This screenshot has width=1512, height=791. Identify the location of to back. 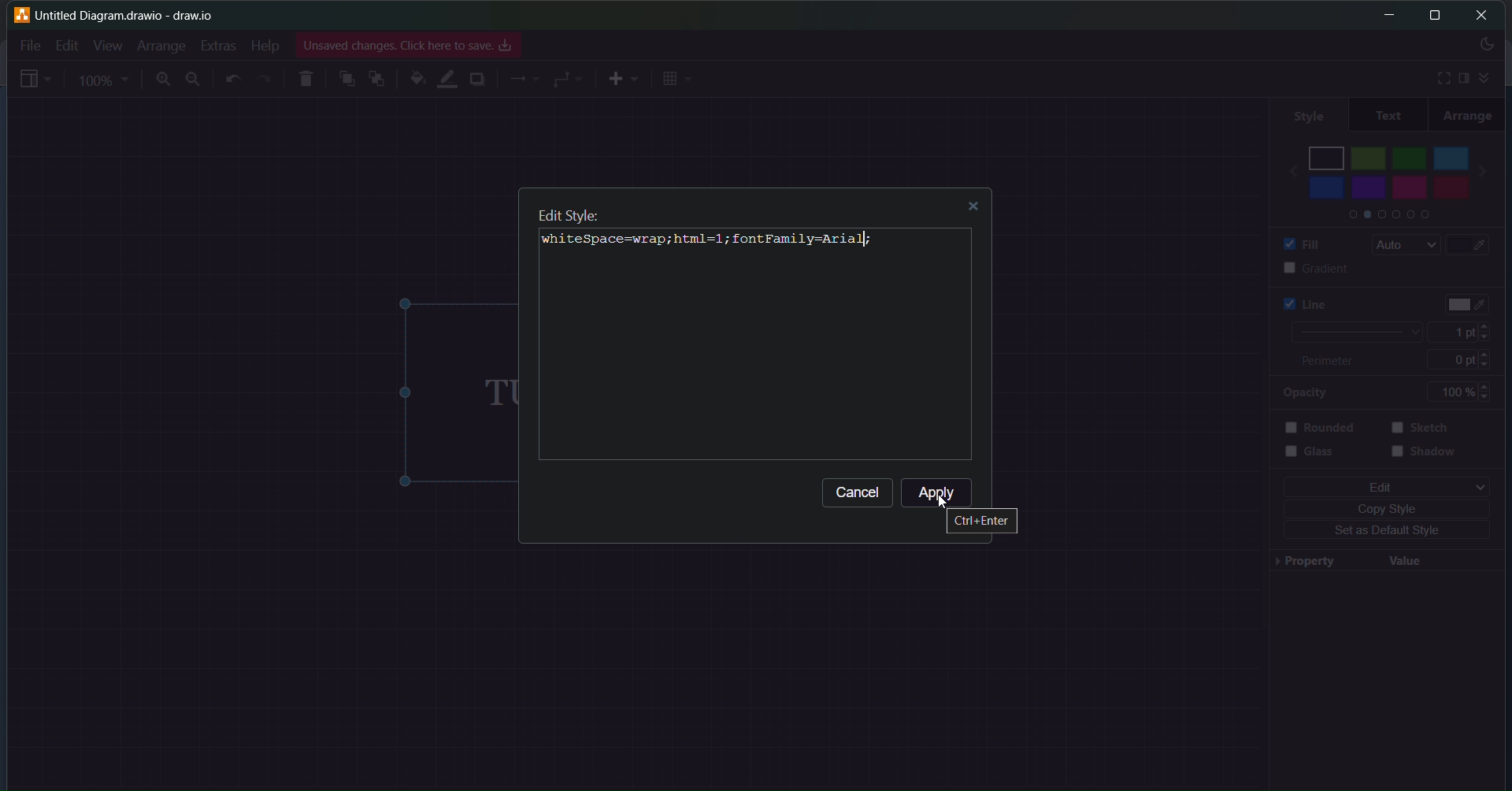
(377, 80).